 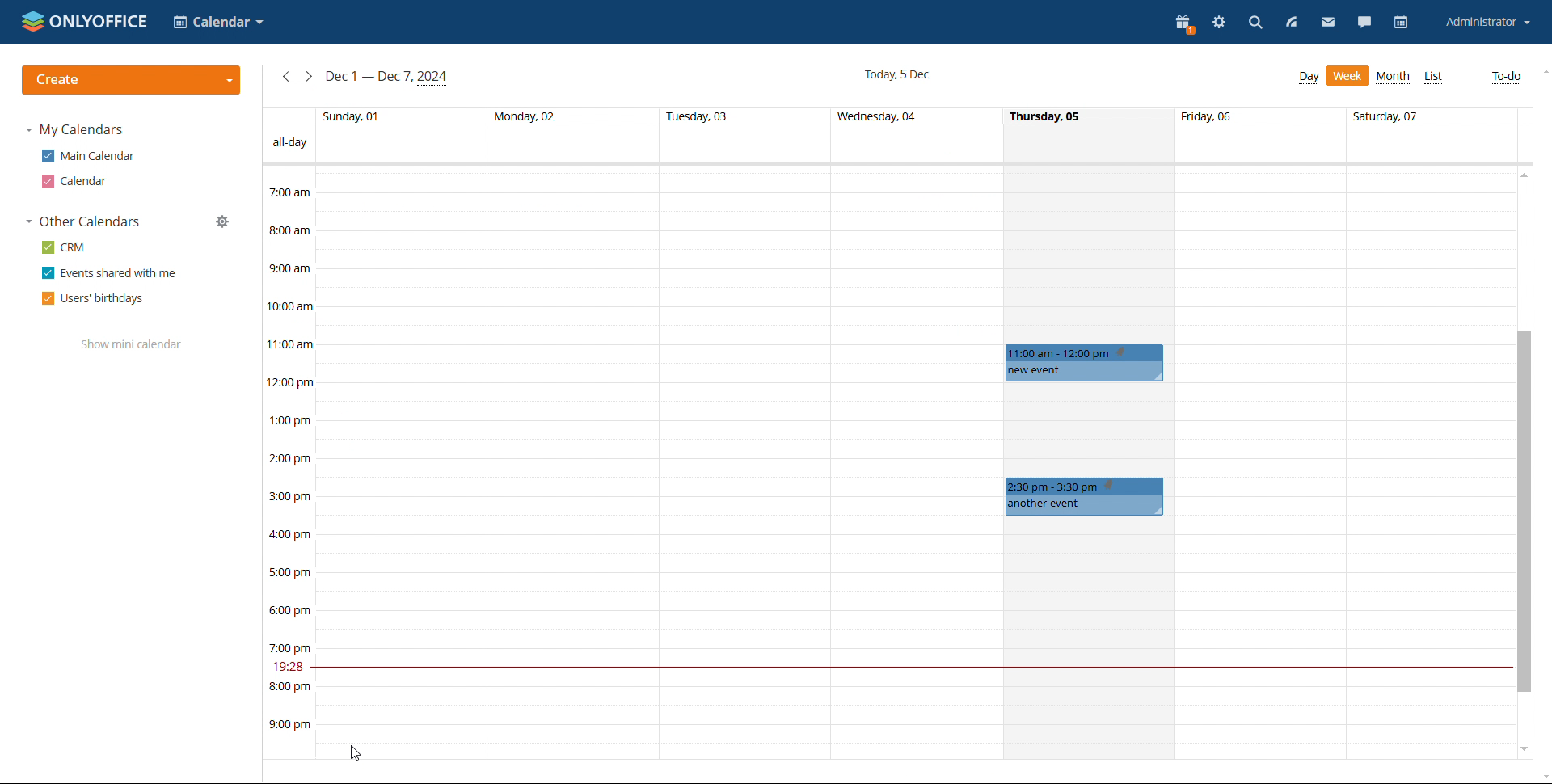 What do you see at coordinates (286, 725) in the screenshot?
I see `9:00 pm` at bounding box center [286, 725].